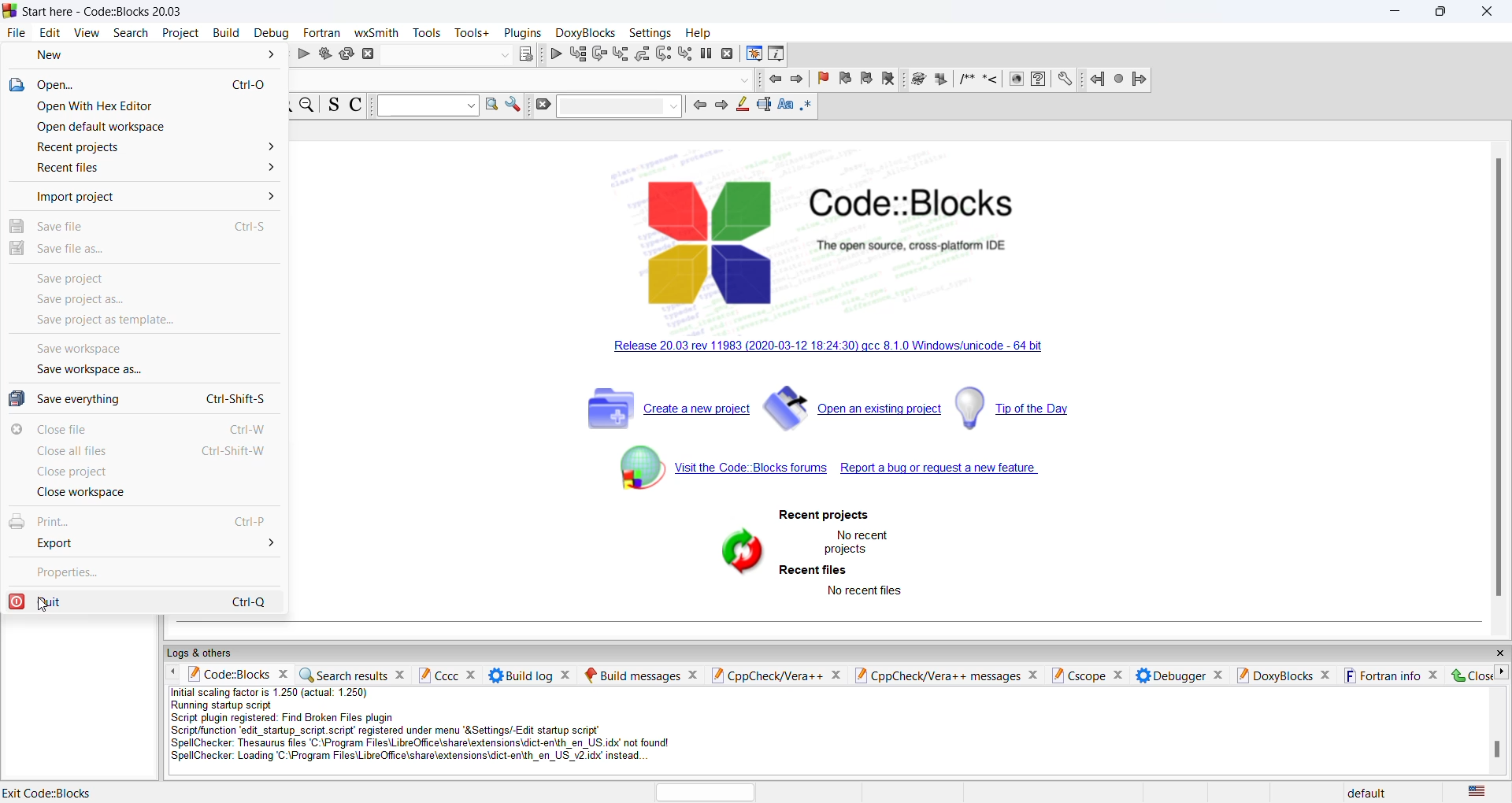 The image size is (1512, 803). I want to click on tip of the day, so click(1014, 404).